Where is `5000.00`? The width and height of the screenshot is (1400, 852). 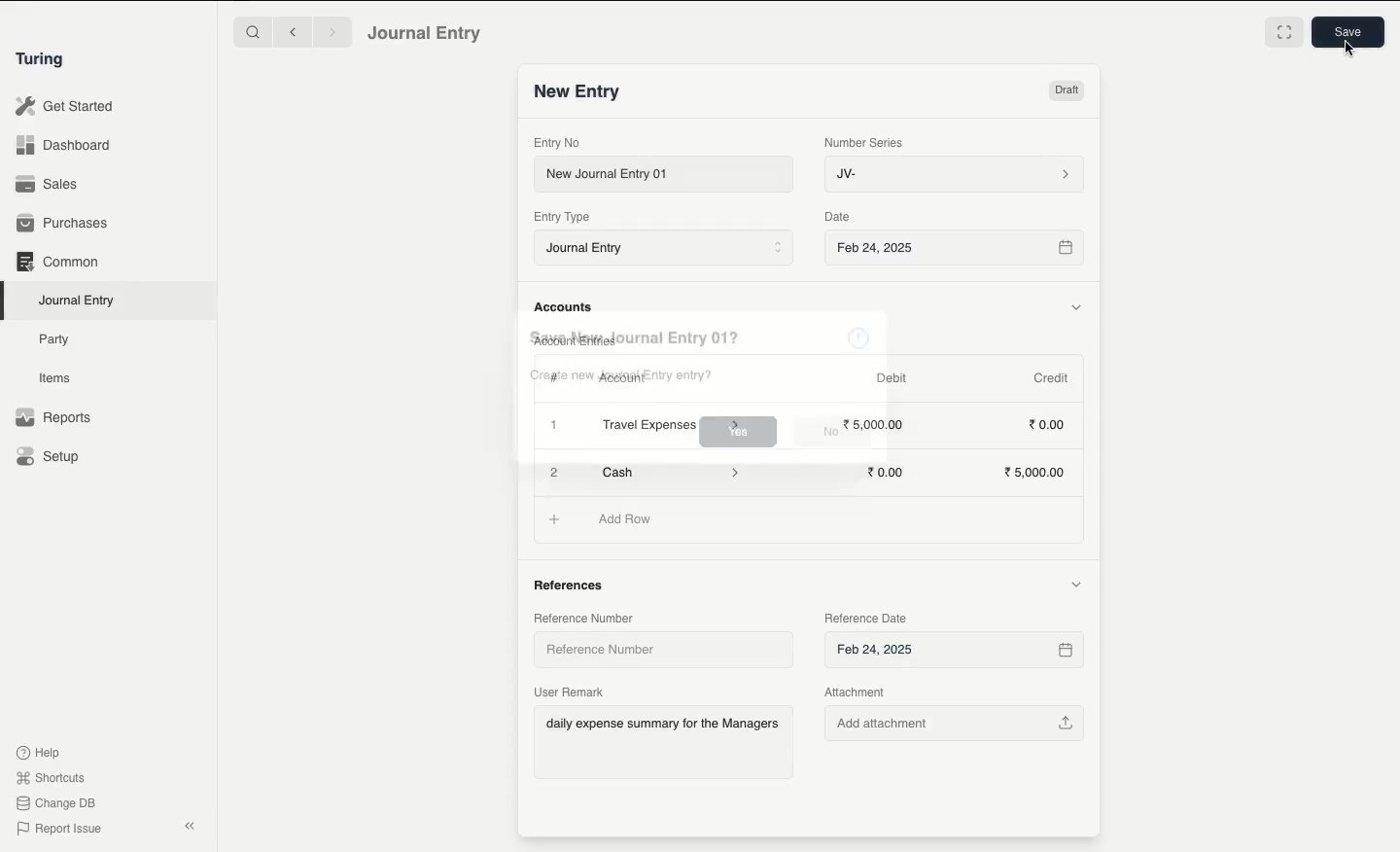
5000.00 is located at coordinates (875, 423).